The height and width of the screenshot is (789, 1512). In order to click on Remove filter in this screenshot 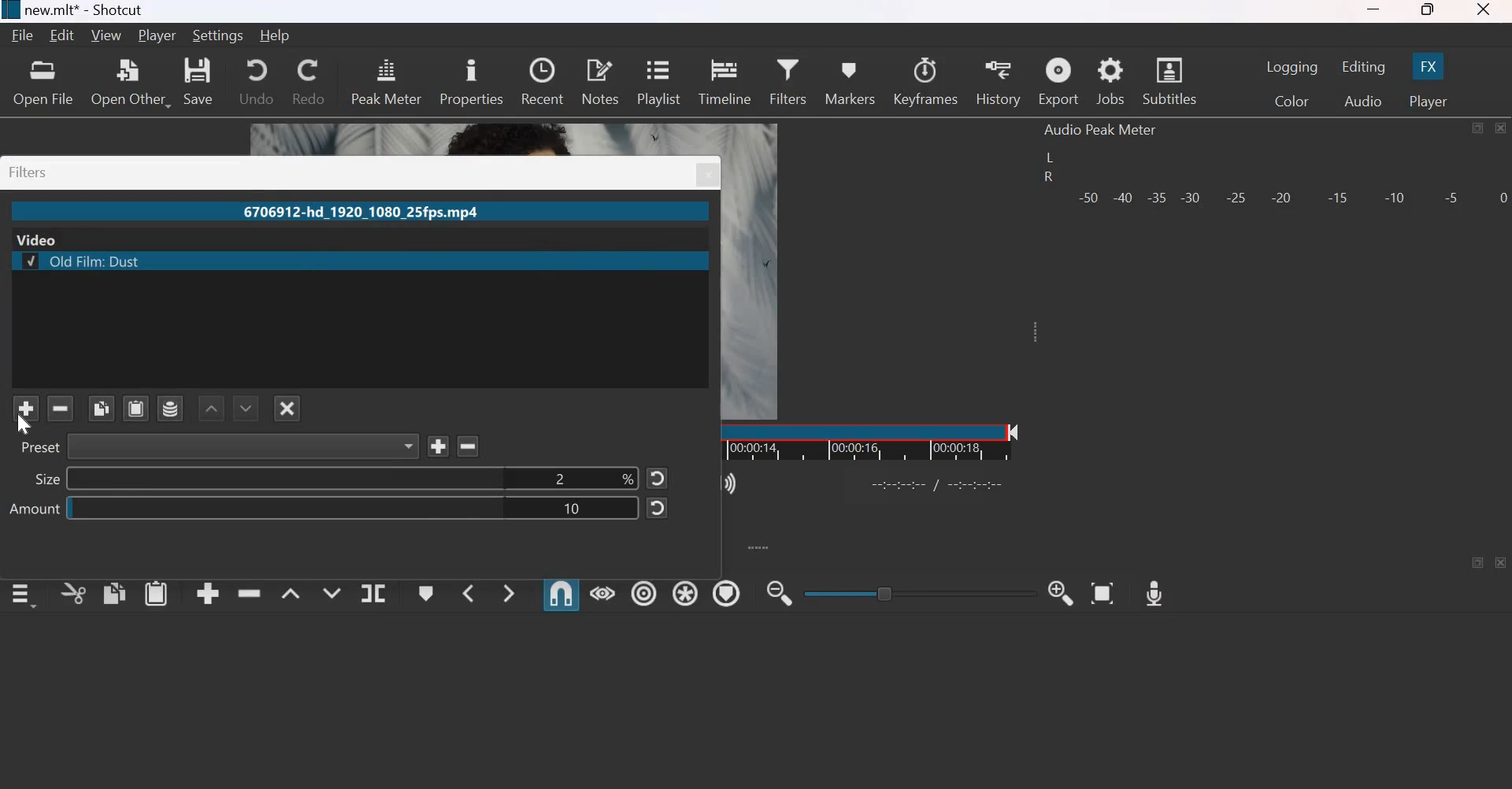, I will do `click(467, 446)`.